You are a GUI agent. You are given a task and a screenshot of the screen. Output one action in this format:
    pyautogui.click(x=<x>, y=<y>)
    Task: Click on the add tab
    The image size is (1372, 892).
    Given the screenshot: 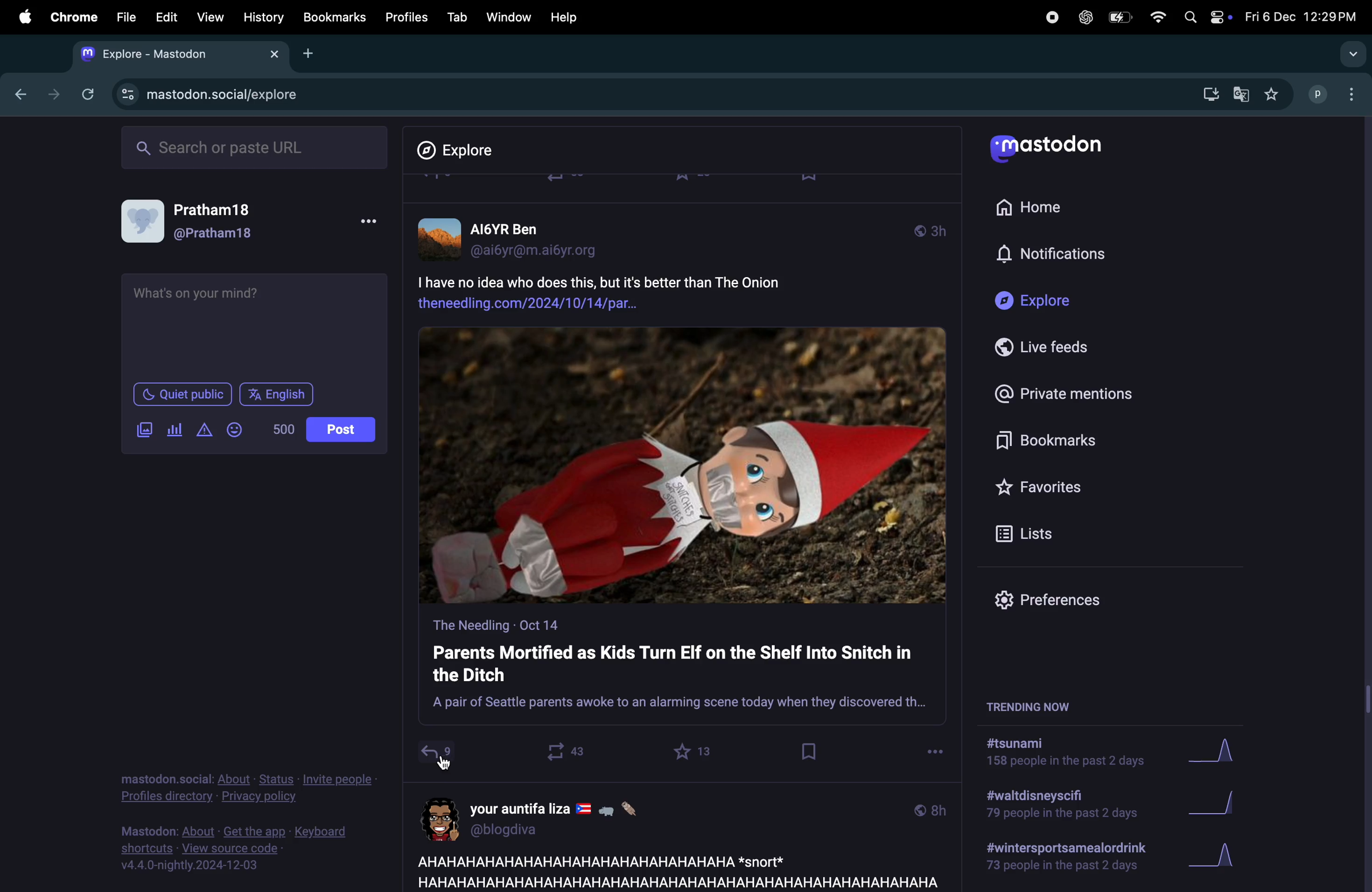 What is the action you would take?
    pyautogui.click(x=310, y=52)
    